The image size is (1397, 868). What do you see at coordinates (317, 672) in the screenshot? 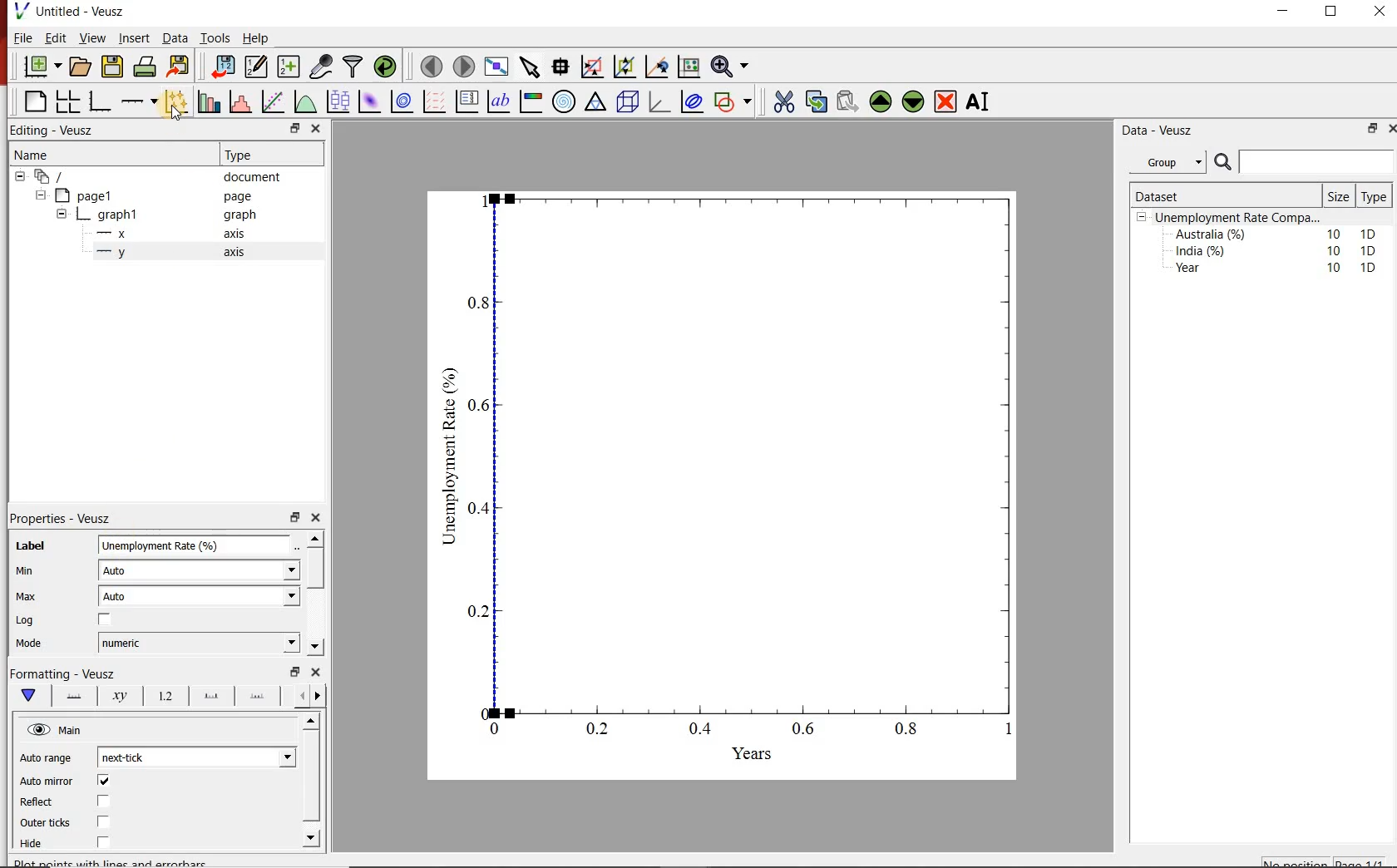
I see `close` at bounding box center [317, 672].